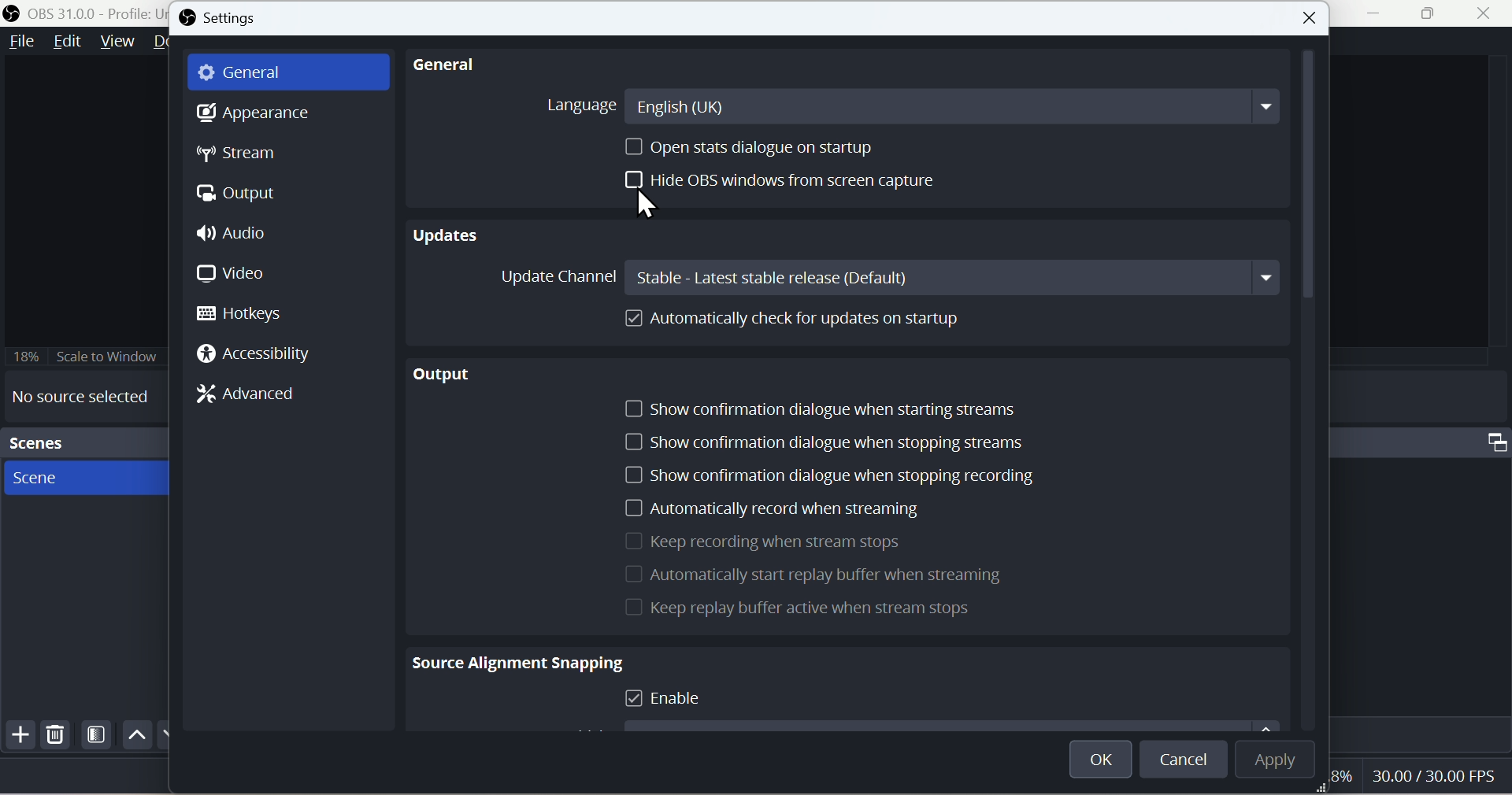 This screenshot has height=795, width=1512. I want to click on Hide OBS windows, so click(780, 185).